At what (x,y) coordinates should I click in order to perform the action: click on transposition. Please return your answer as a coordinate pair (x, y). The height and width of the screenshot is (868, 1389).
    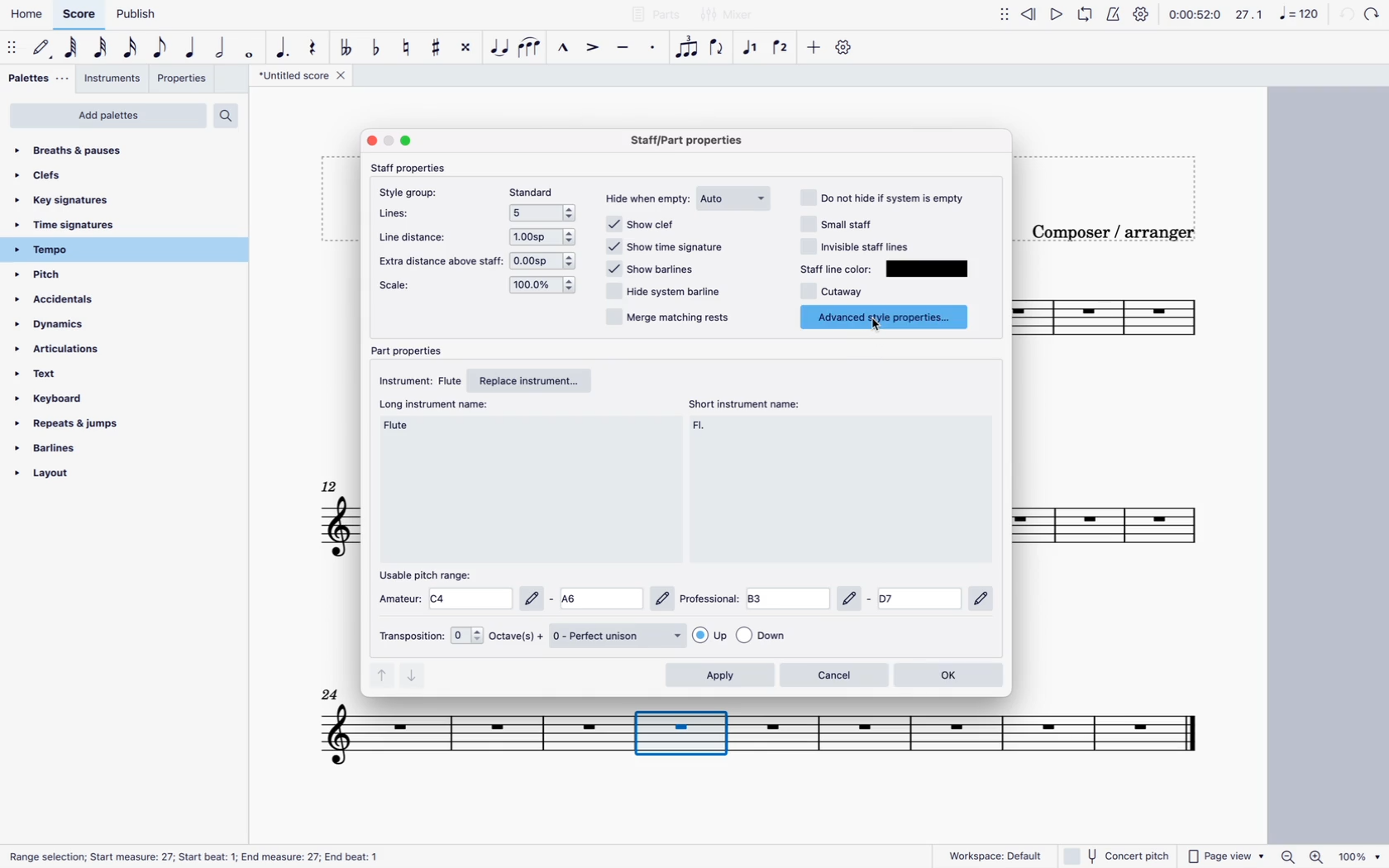
    Looking at the image, I should click on (408, 638).